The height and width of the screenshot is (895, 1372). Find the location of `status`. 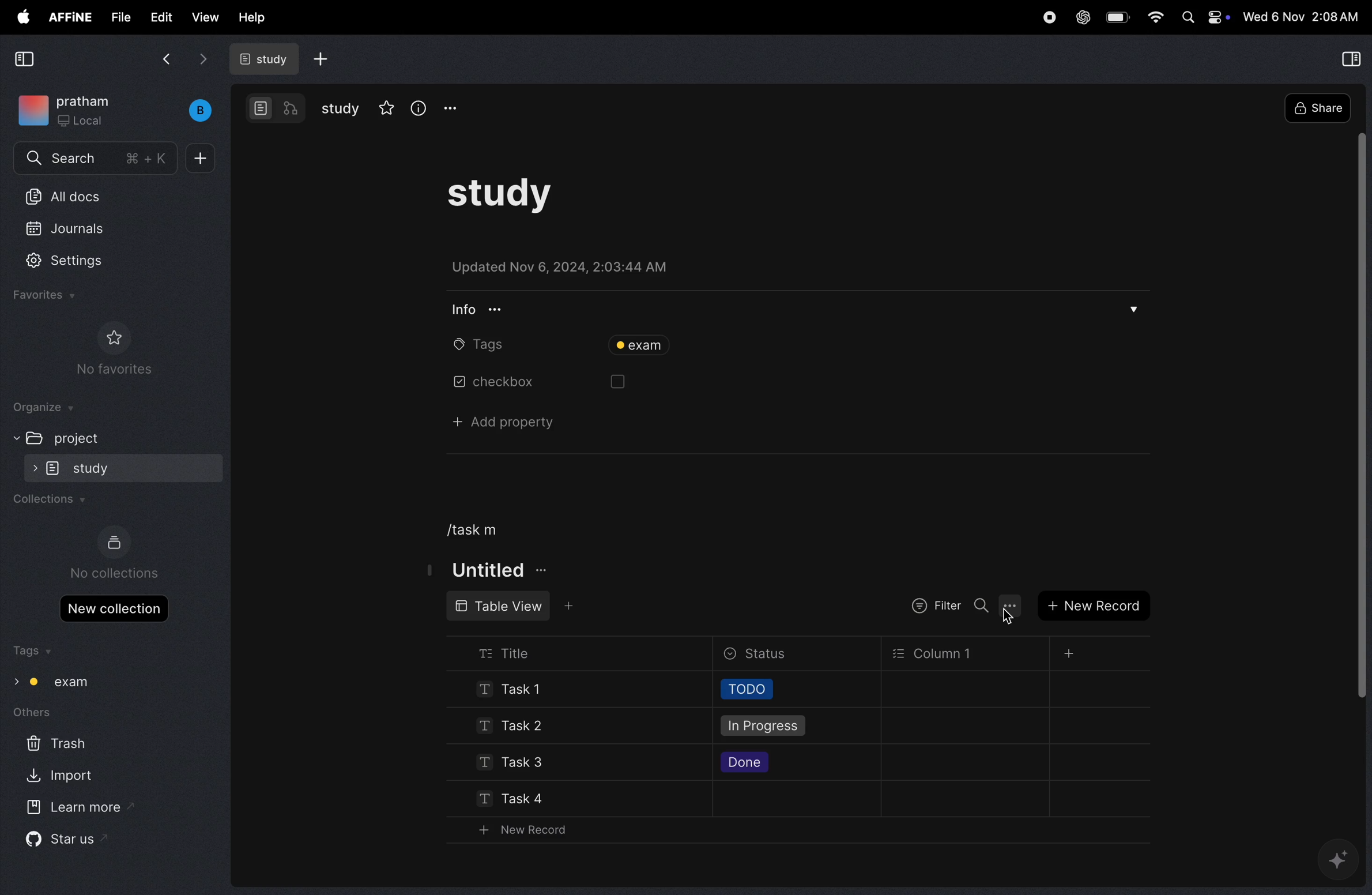

status is located at coordinates (763, 655).